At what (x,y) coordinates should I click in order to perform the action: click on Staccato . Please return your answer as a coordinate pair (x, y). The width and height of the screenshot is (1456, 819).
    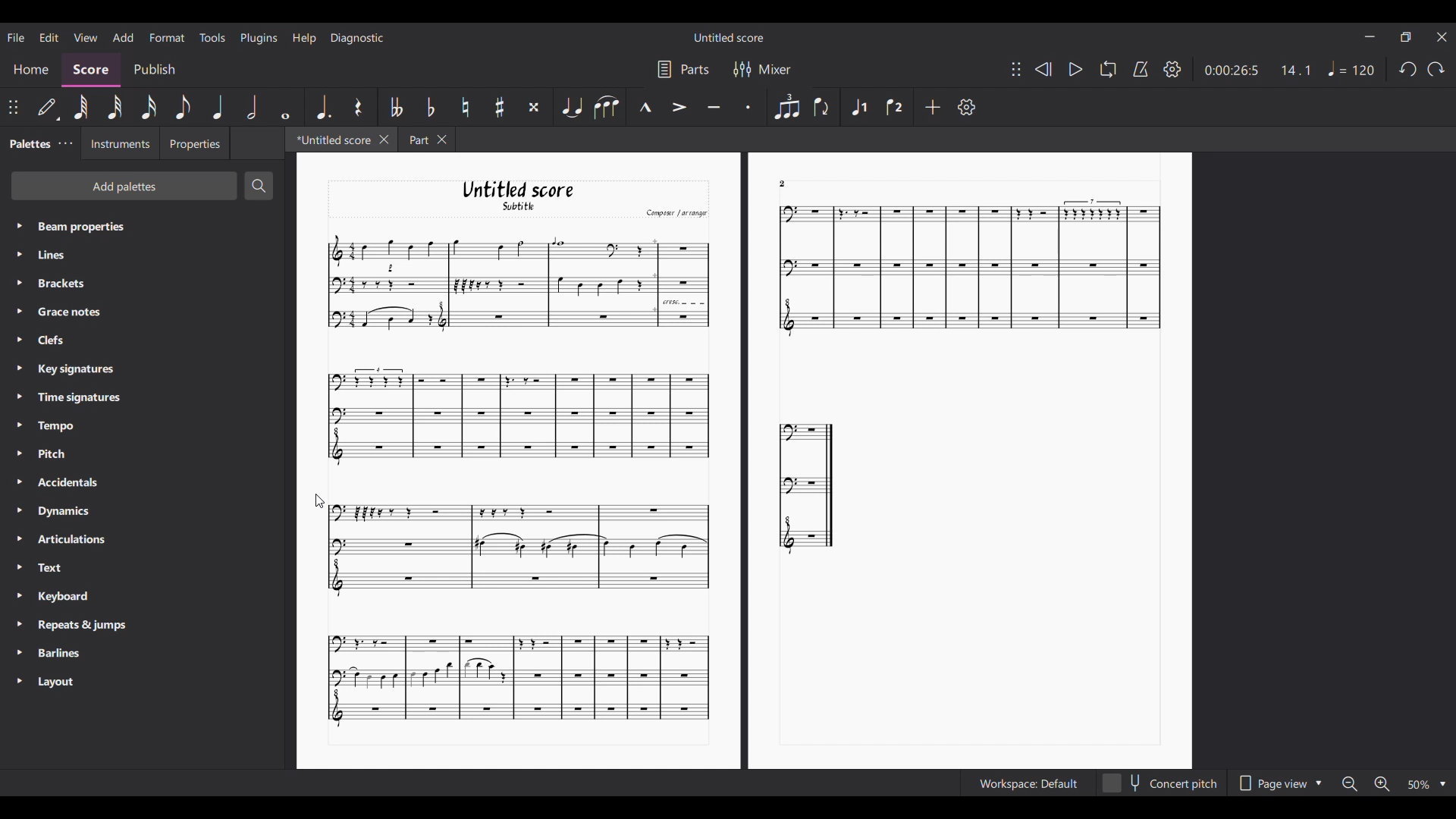
    Looking at the image, I should click on (750, 105).